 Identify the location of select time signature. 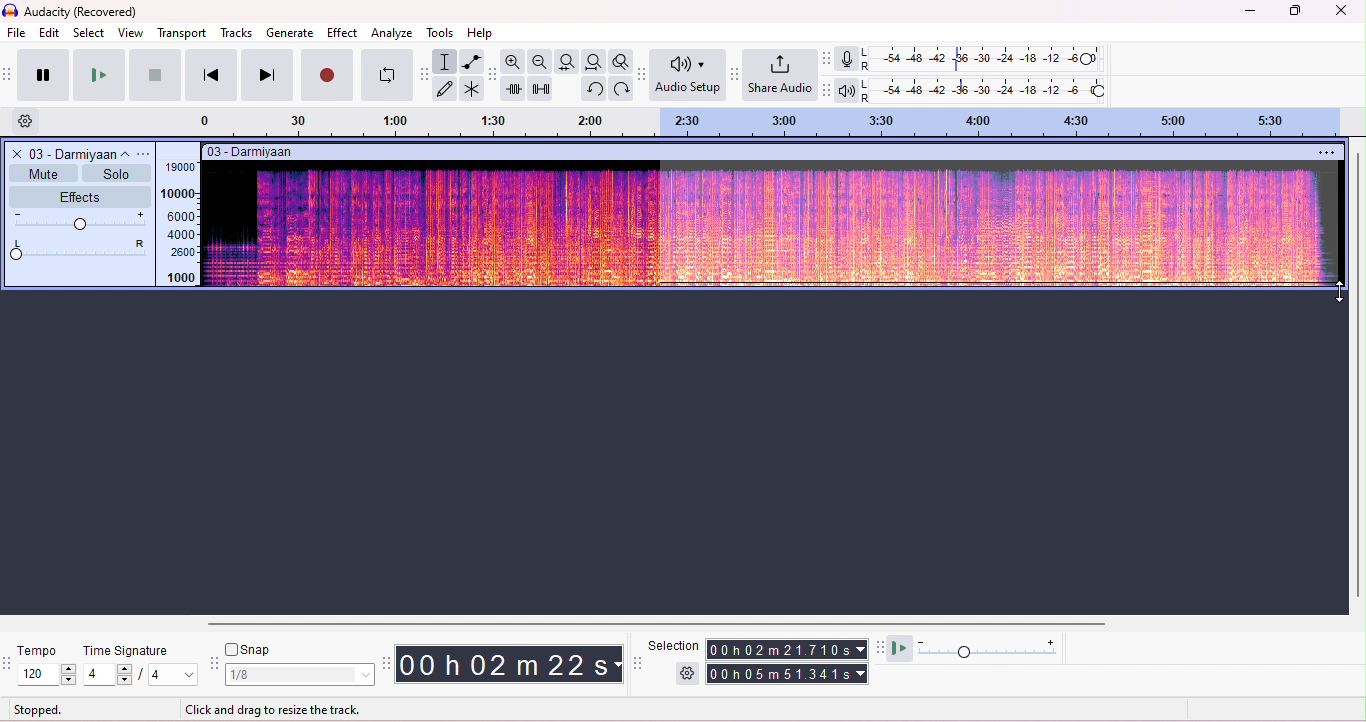
(142, 674).